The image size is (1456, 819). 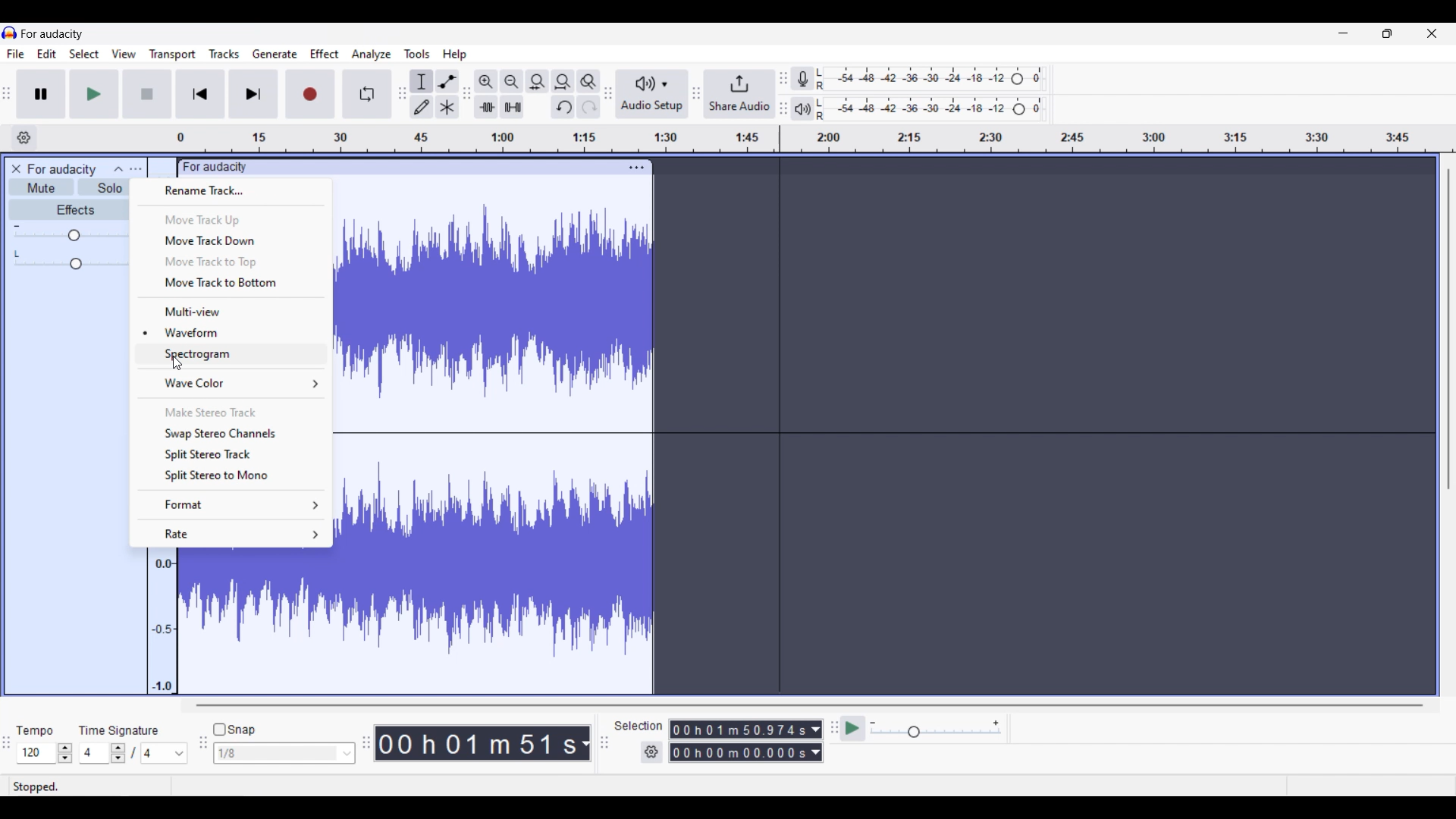 What do you see at coordinates (447, 107) in the screenshot?
I see `Multi tool` at bounding box center [447, 107].